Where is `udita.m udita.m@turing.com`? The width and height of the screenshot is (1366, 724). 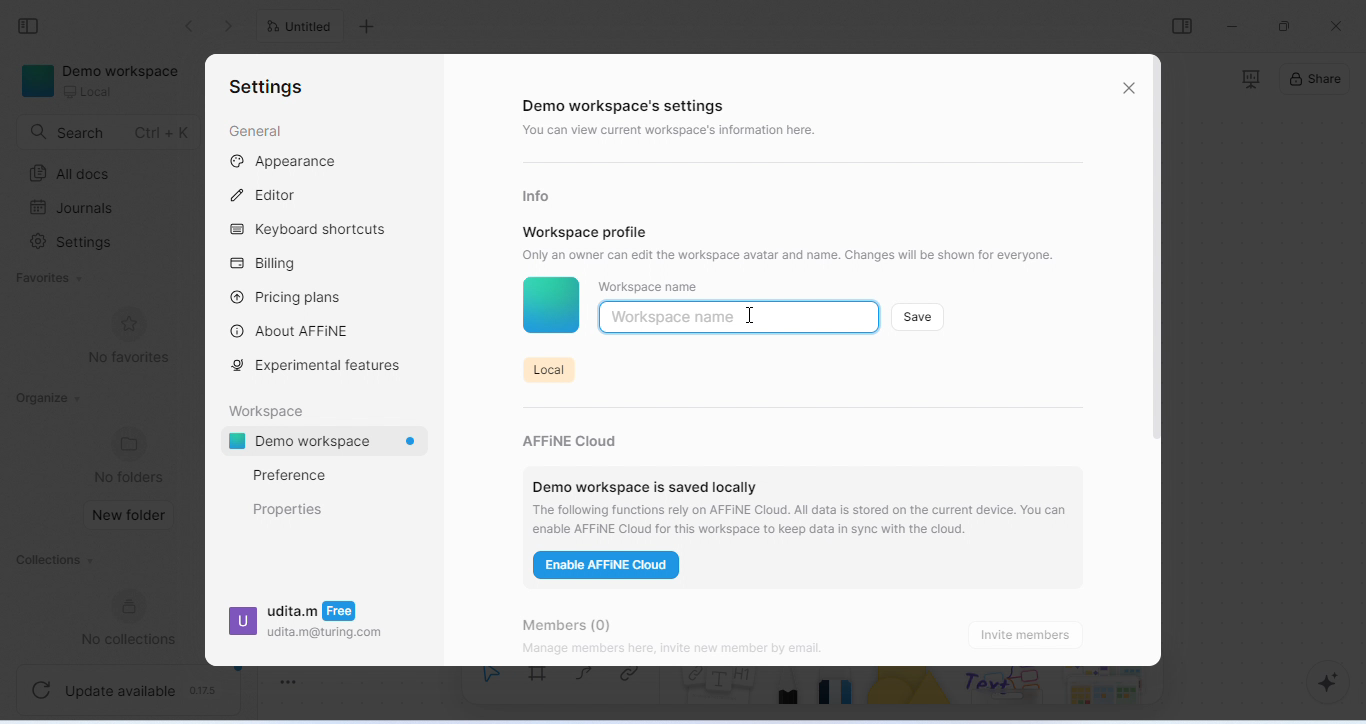
udita.m udita.m@turing.com is located at coordinates (306, 626).